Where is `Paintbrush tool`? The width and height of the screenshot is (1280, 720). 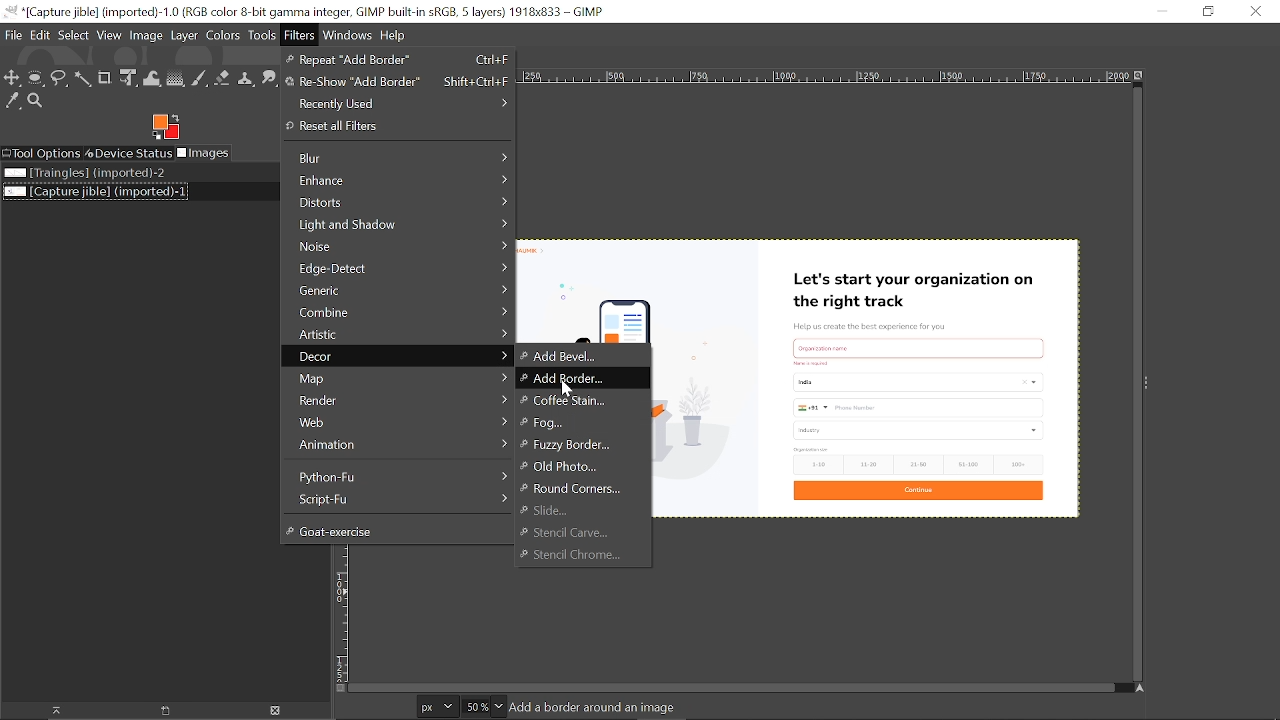 Paintbrush tool is located at coordinates (201, 79).